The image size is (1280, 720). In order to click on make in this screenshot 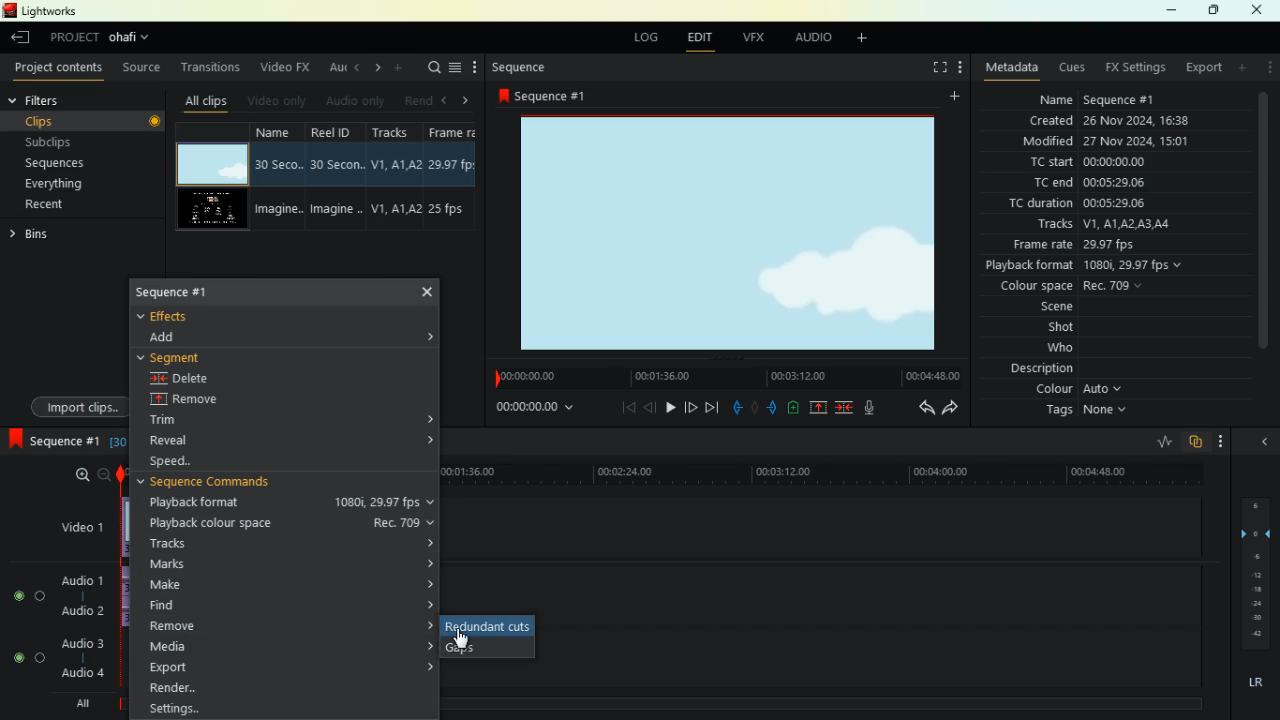, I will do `click(290, 586)`.